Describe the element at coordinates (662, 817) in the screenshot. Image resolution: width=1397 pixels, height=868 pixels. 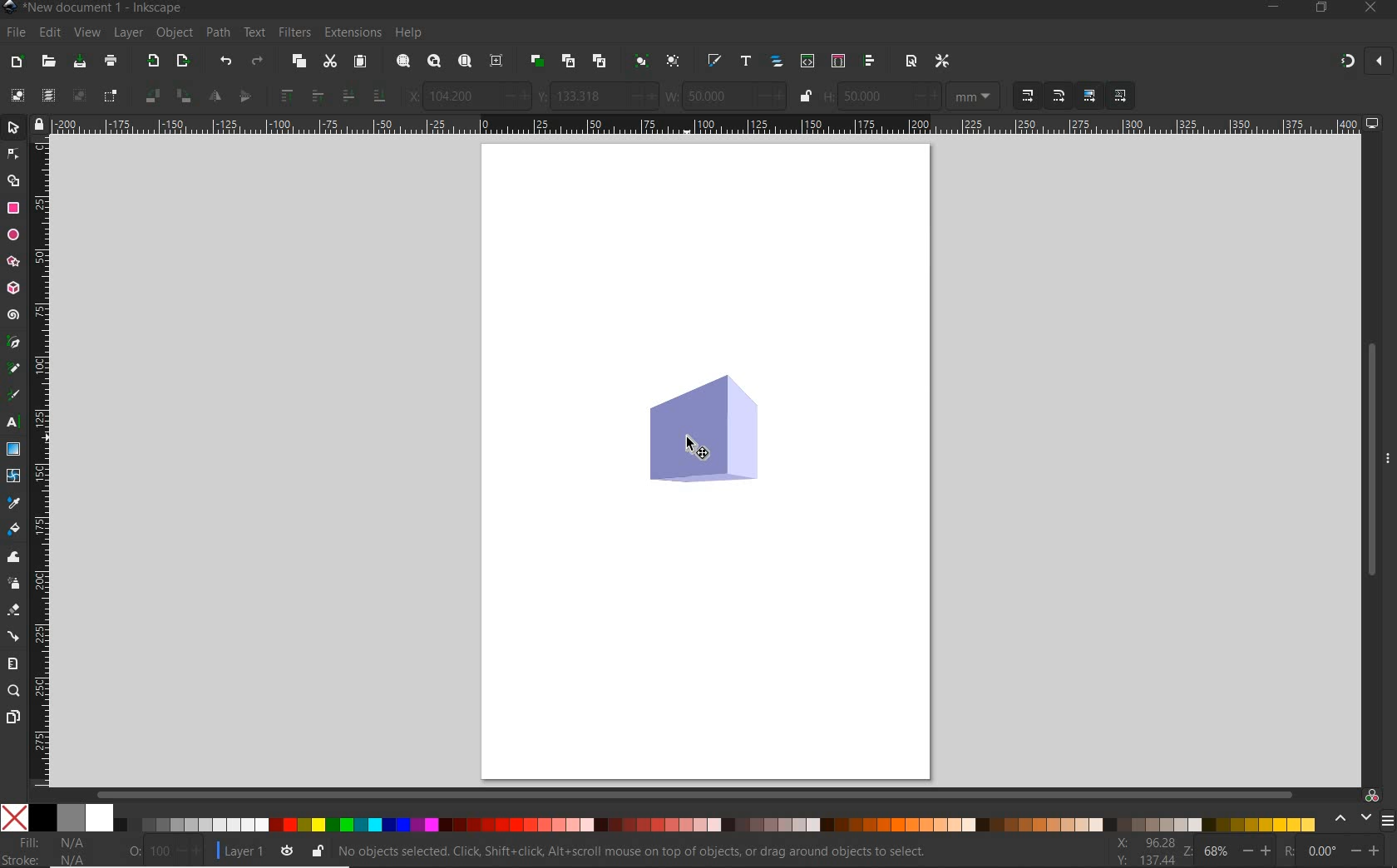
I see `color mode` at that location.